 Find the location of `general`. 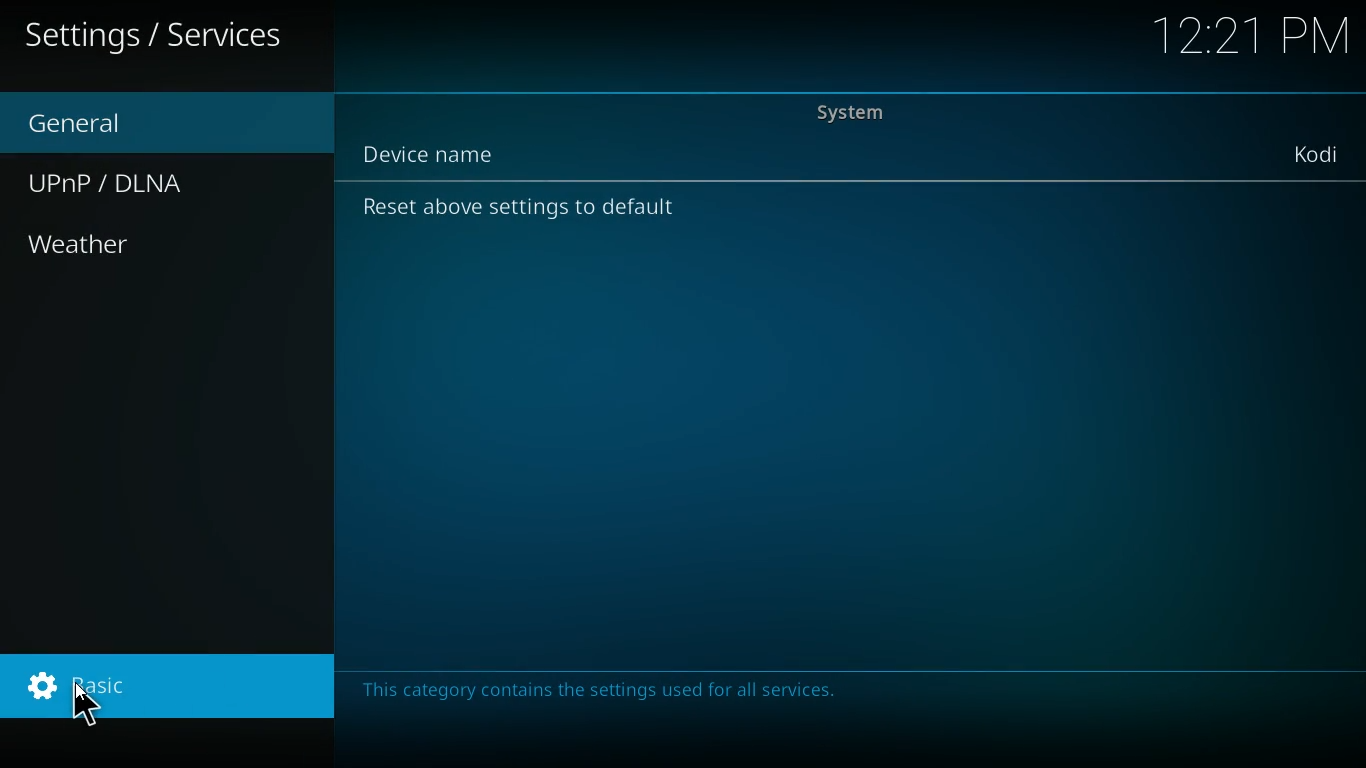

general is located at coordinates (90, 124).